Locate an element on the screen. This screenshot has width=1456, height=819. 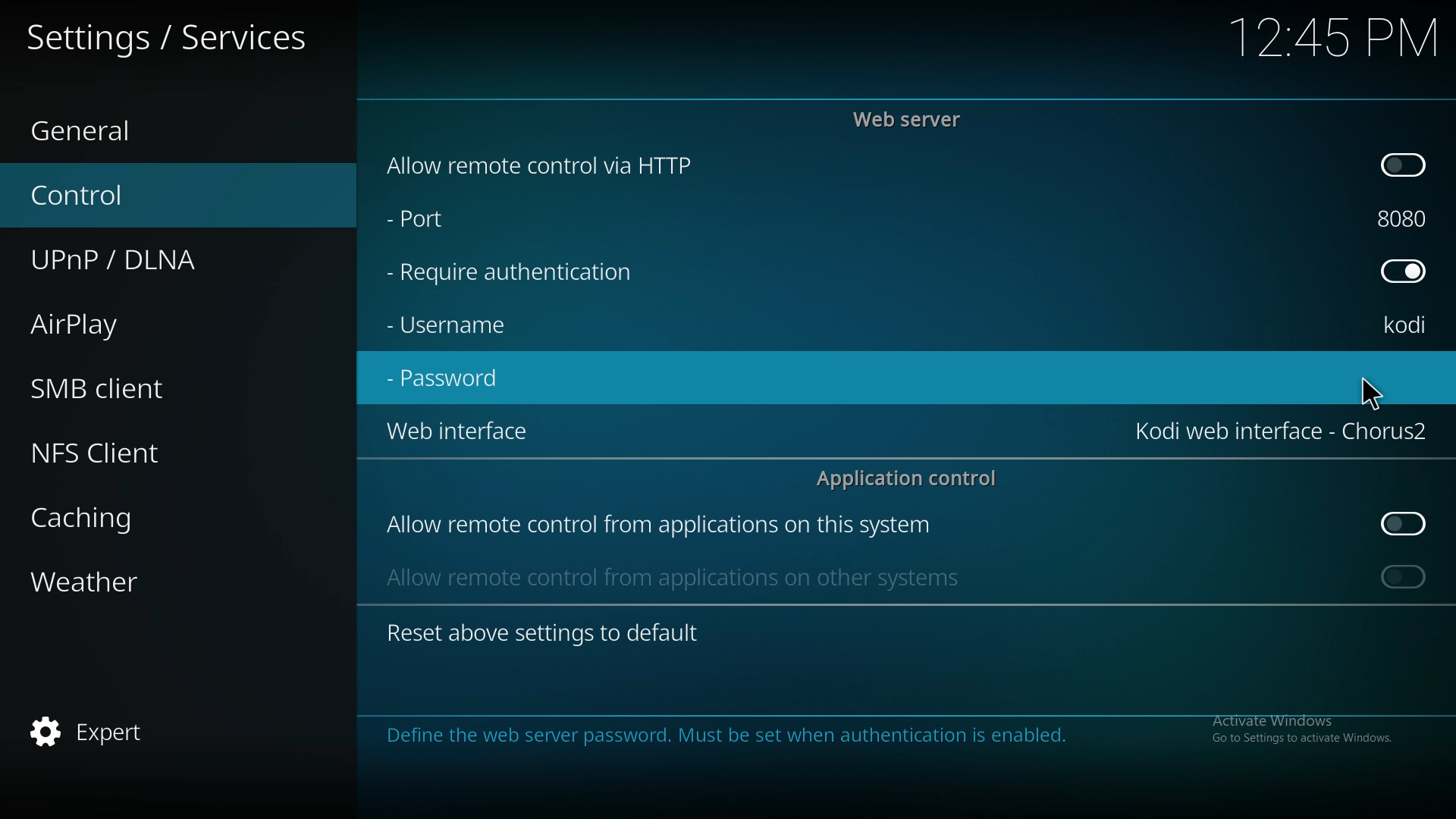
on is located at coordinates (1404, 163).